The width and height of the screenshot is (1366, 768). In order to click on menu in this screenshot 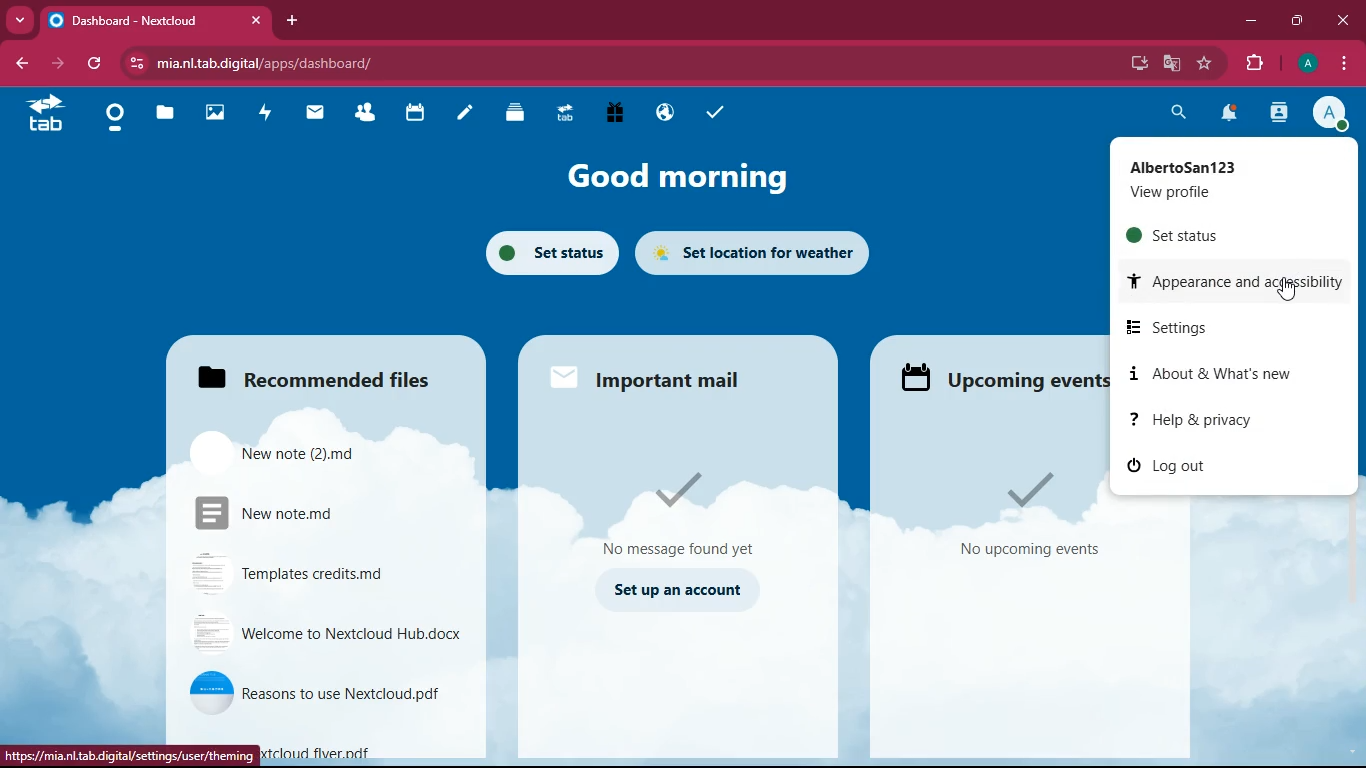, I will do `click(1344, 61)`.